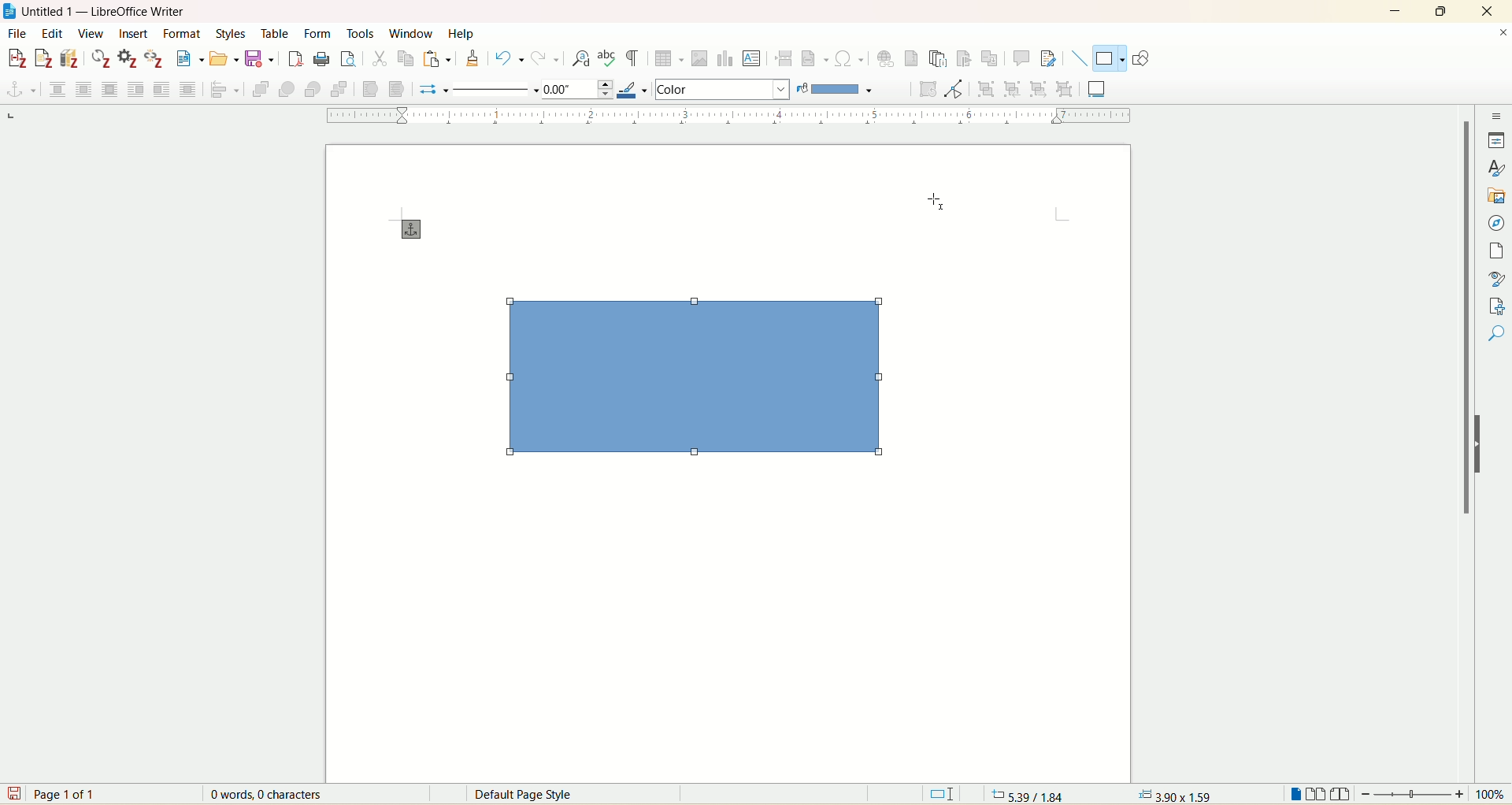 This screenshot has height=805, width=1512. What do you see at coordinates (1143, 57) in the screenshot?
I see `show draw functions` at bounding box center [1143, 57].